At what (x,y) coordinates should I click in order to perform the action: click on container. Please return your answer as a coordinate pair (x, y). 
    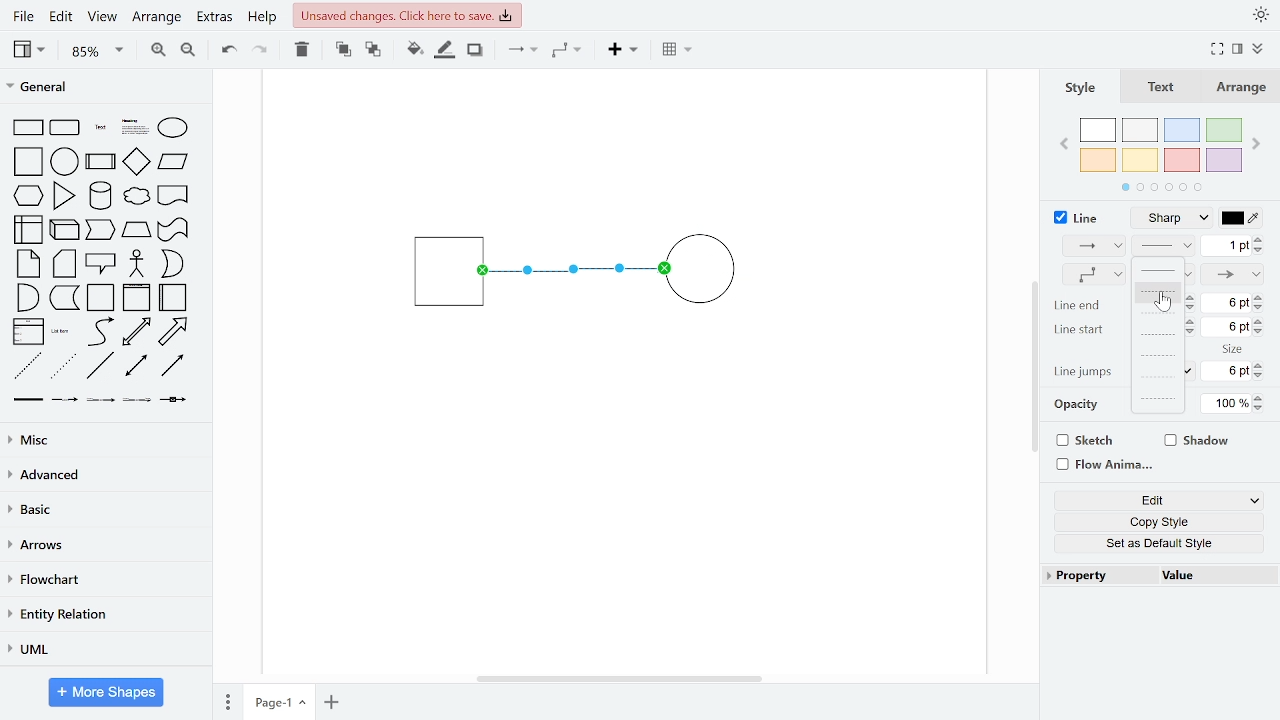
    Looking at the image, I should click on (102, 298).